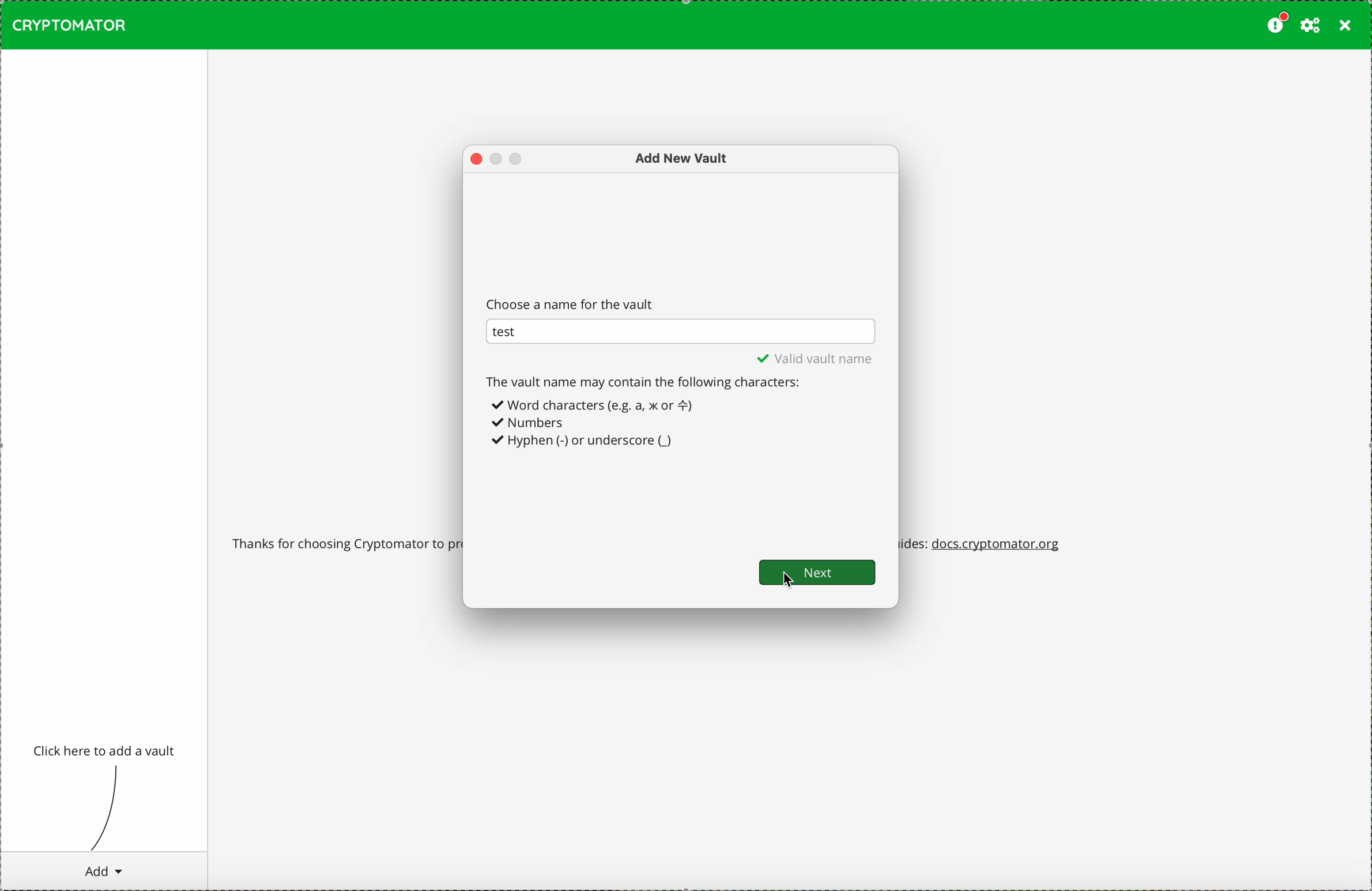 This screenshot has width=1372, height=891. What do you see at coordinates (681, 321) in the screenshot?
I see `name of the vault` at bounding box center [681, 321].